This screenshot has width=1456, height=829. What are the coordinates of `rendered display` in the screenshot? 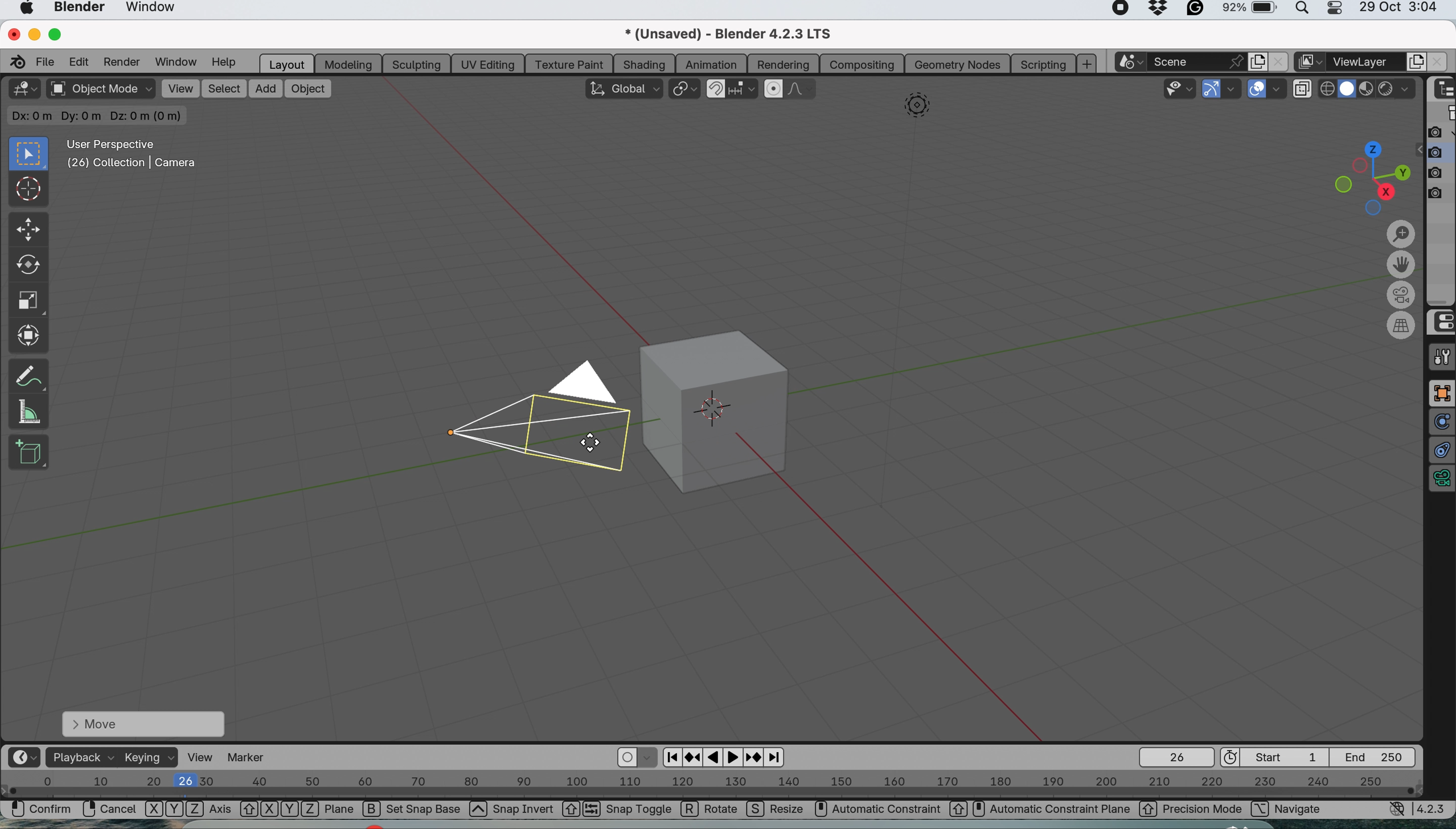 It's located at (1368, 91).